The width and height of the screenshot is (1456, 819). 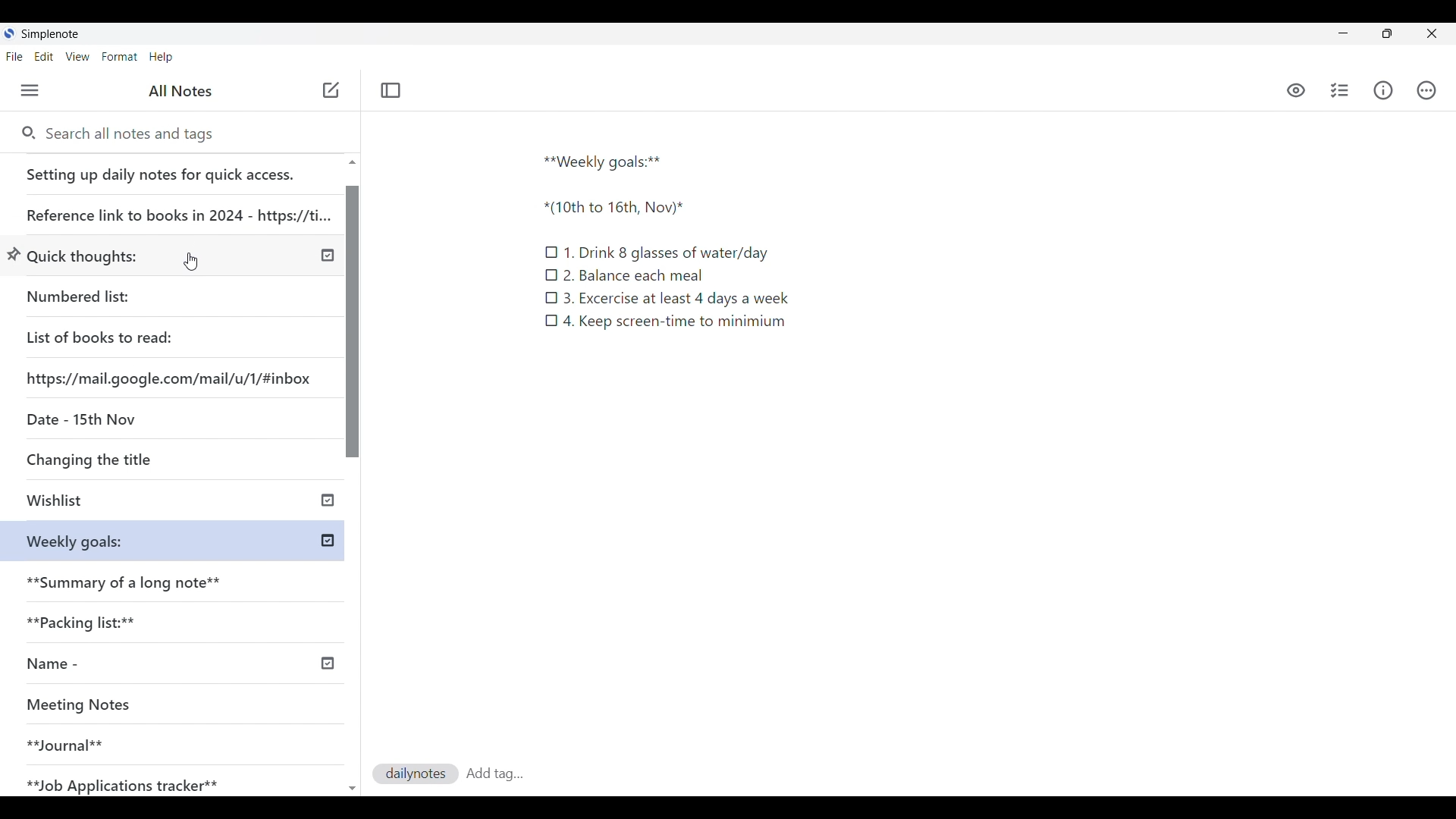 What do you see at coordinates (502, 773) in the screenshot?
I see `Tag saved to current note` at bounding box center [502, 773].